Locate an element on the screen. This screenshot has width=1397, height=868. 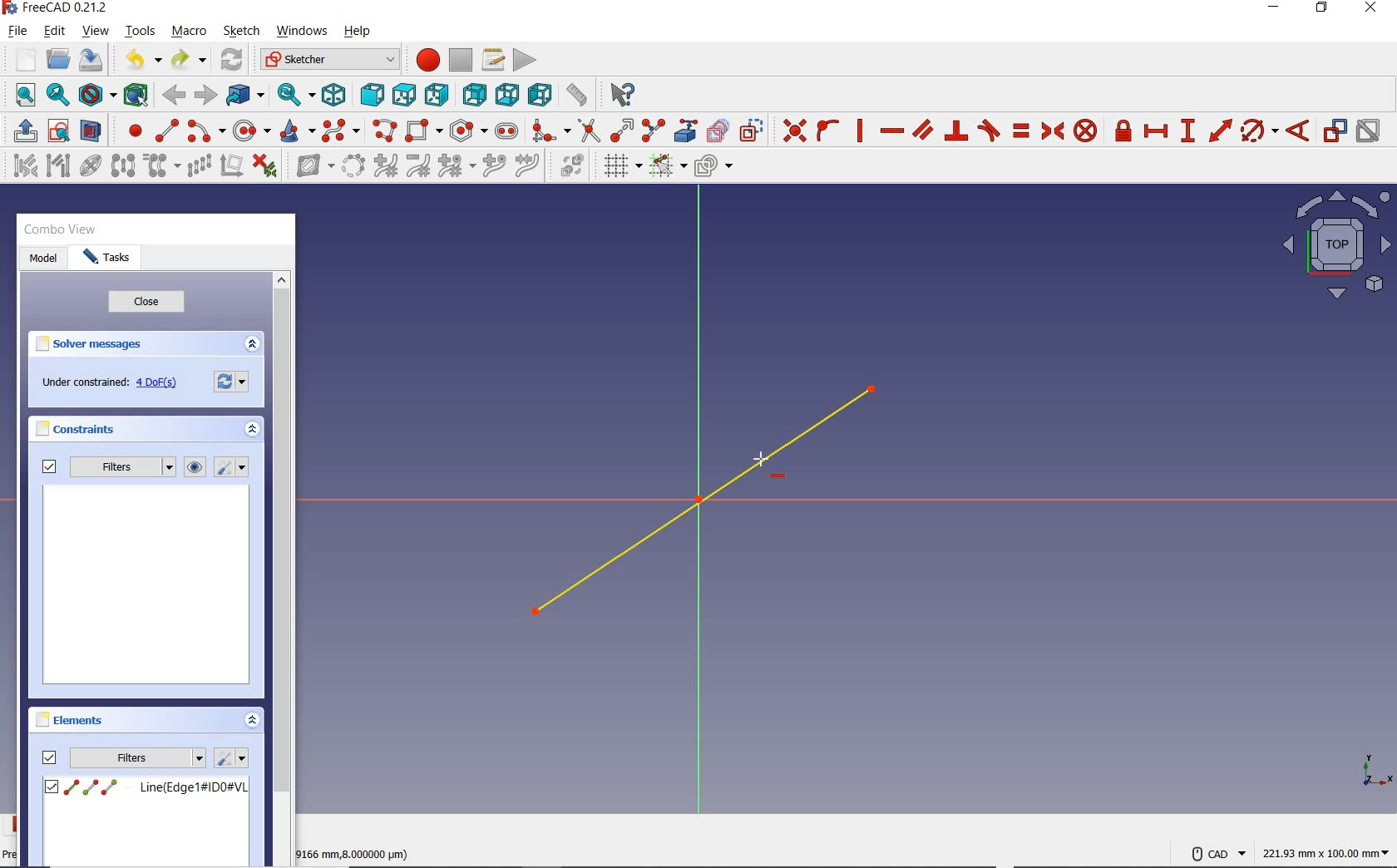
FIT ALL is located at coordinates (21, 96).